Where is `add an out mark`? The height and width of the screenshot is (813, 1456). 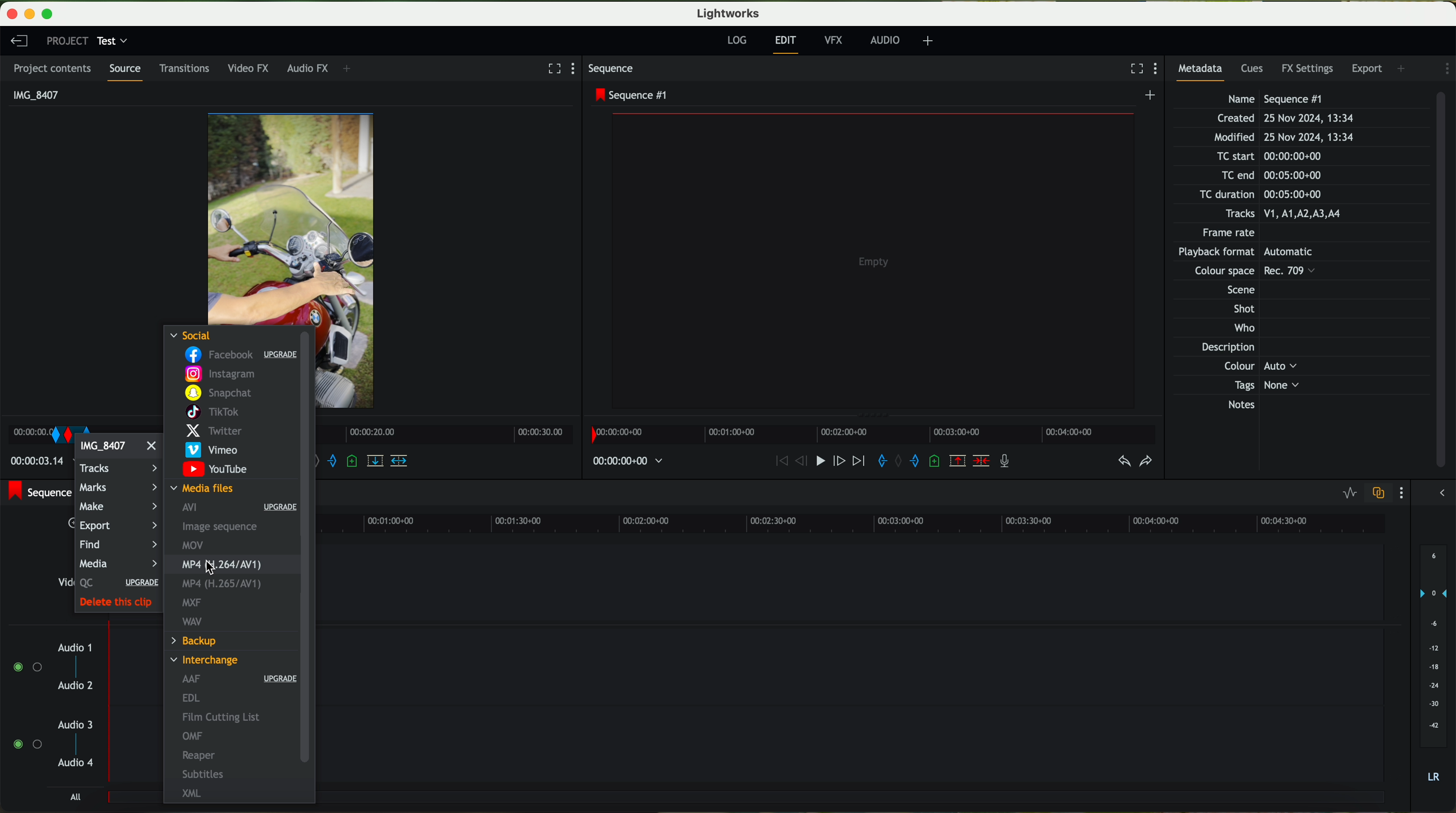 add an out mark is located at coordinates (909, 461).